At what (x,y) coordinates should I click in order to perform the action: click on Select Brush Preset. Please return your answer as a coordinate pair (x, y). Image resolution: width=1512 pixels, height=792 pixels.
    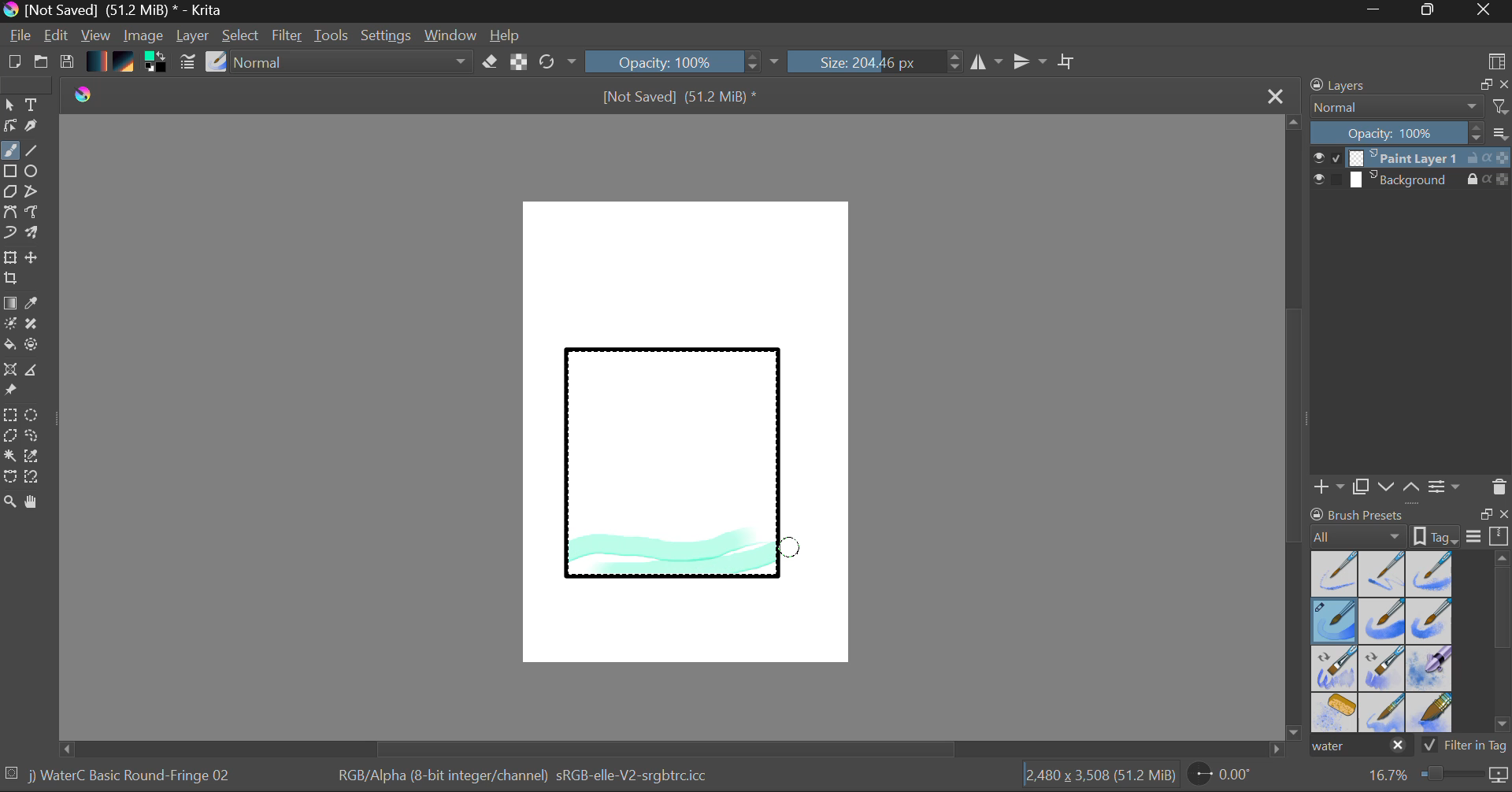
    Looking at the image, I should click on (217, 62).